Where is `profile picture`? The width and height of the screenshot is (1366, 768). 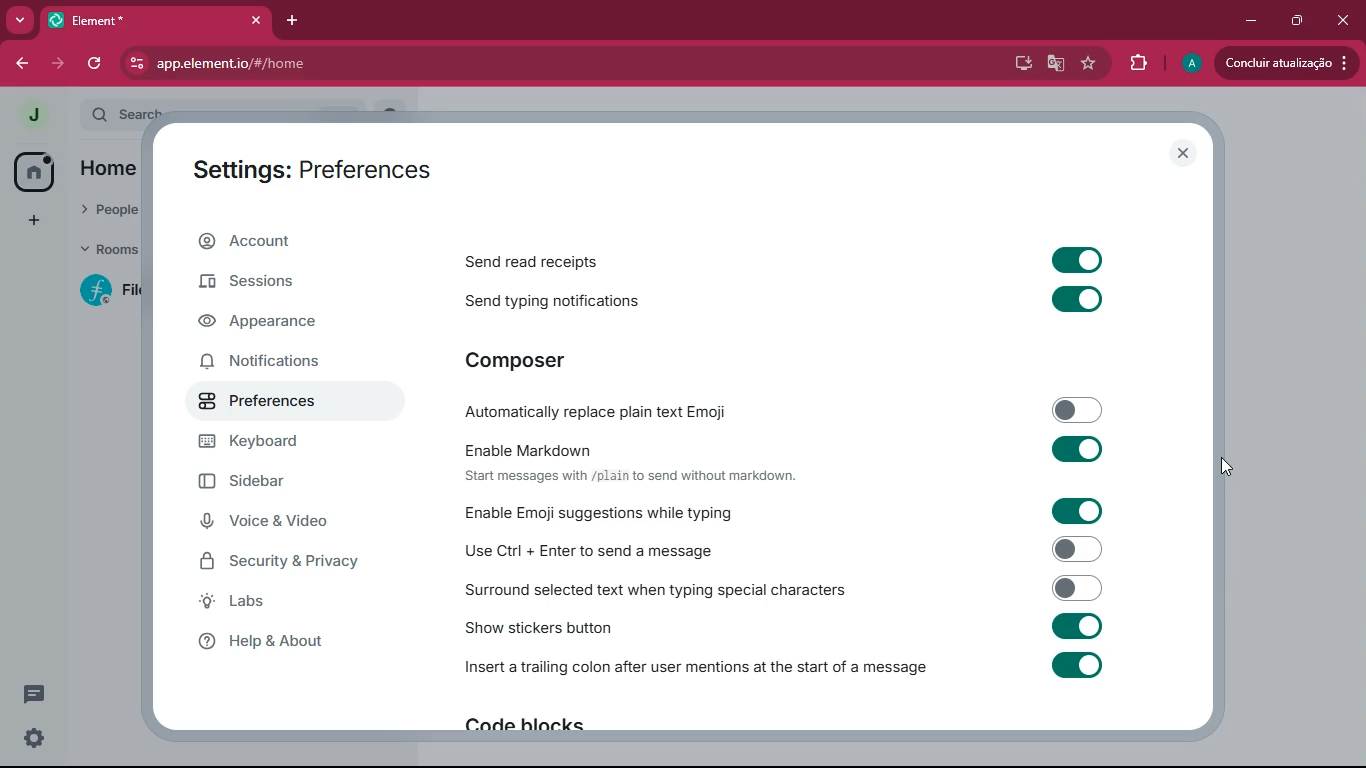
profile picture is located at coordinates (32, 115).